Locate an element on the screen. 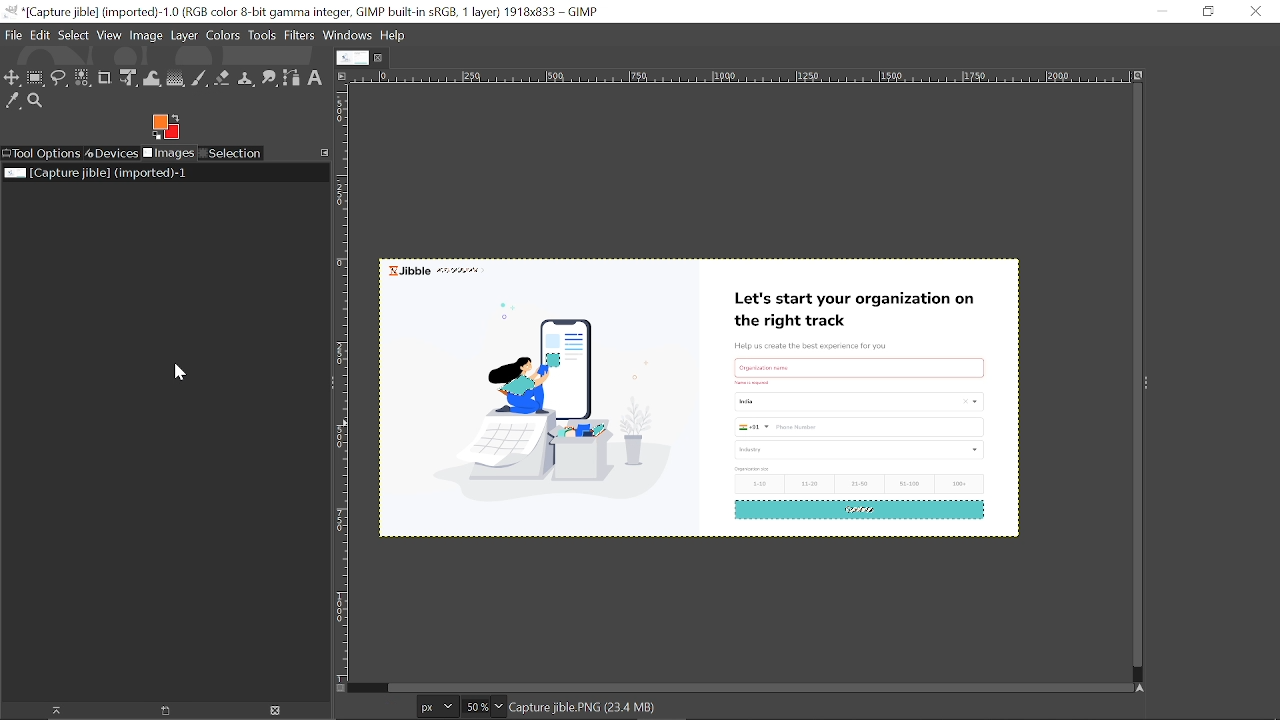 Image resolution: width=1280 pixels, height=720 pixels. Rectangular select tool is located at coordinates (36, 80).